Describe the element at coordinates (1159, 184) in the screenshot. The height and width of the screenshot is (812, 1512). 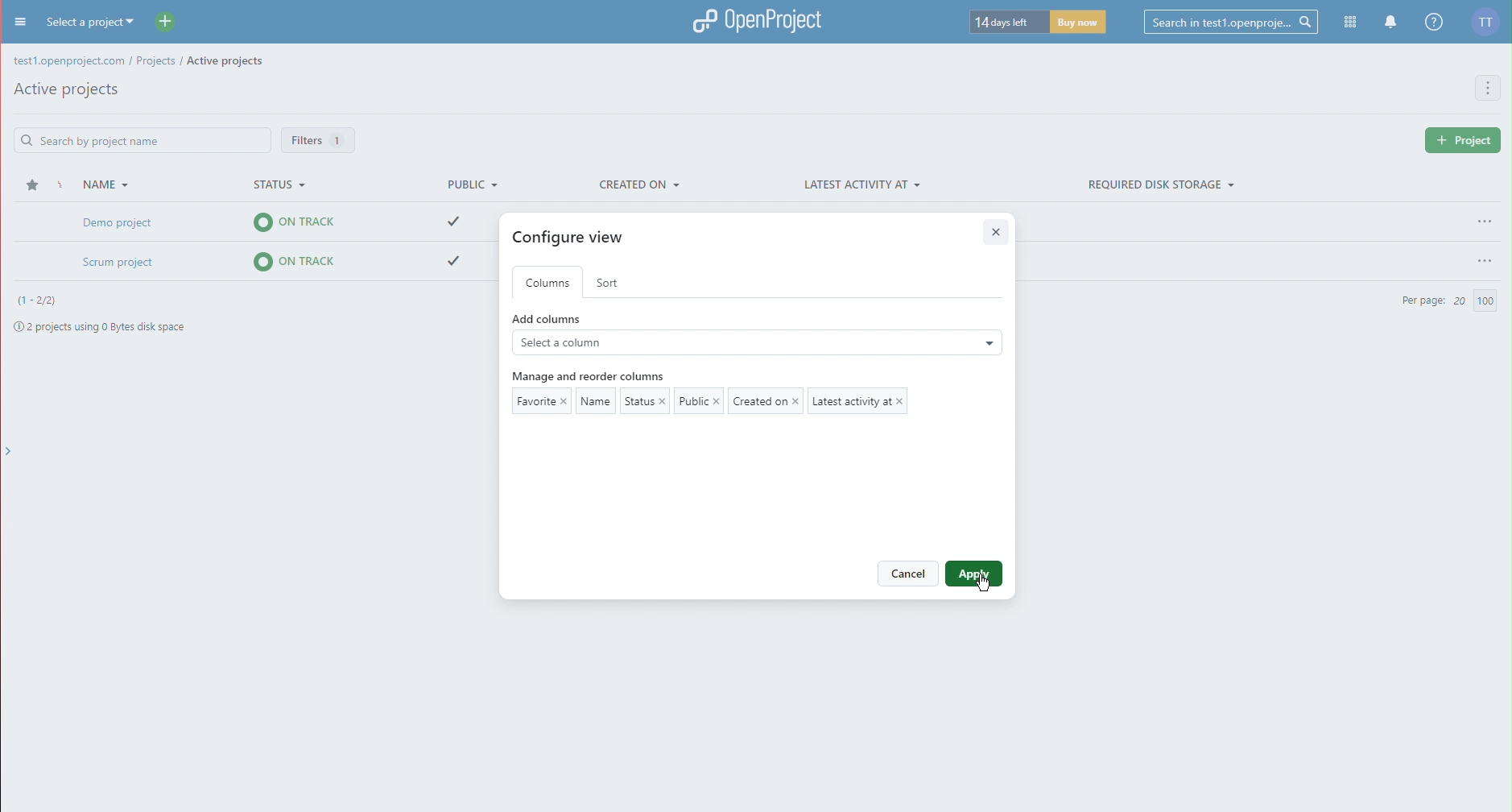
I see `Required Disk Storage` at that location.